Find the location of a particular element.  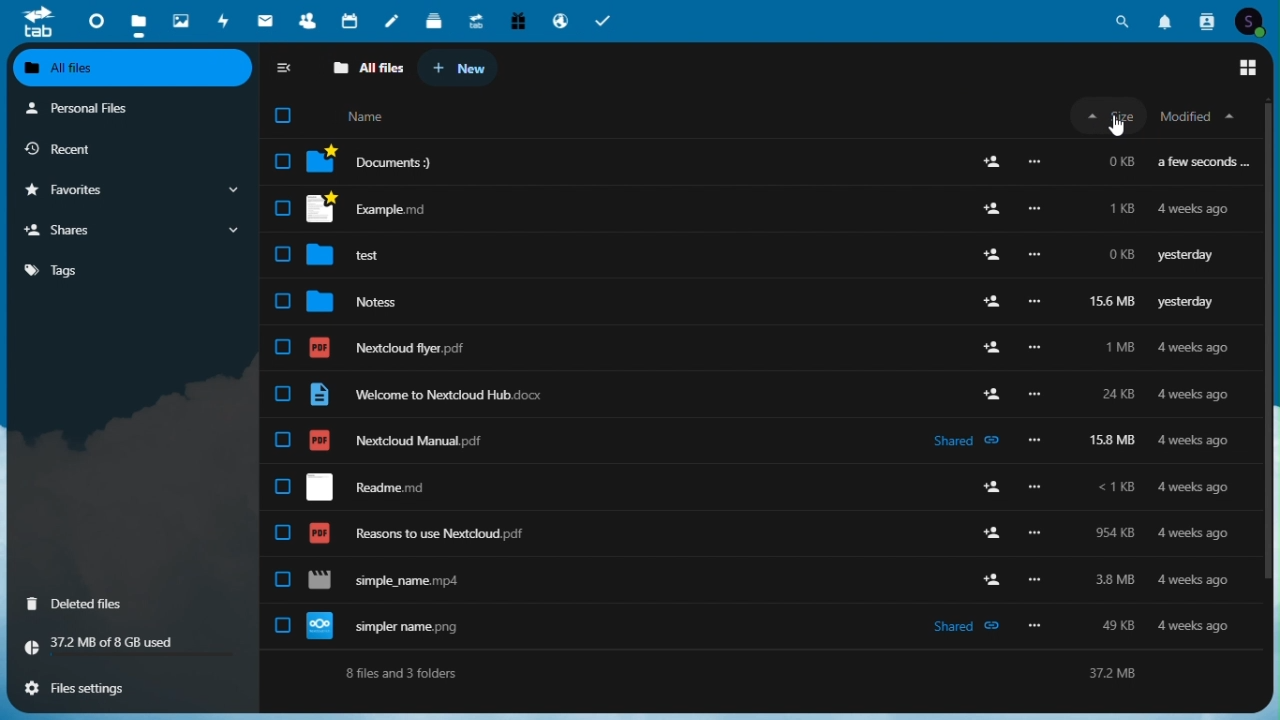

Notes is located at coordinates (743, 306).